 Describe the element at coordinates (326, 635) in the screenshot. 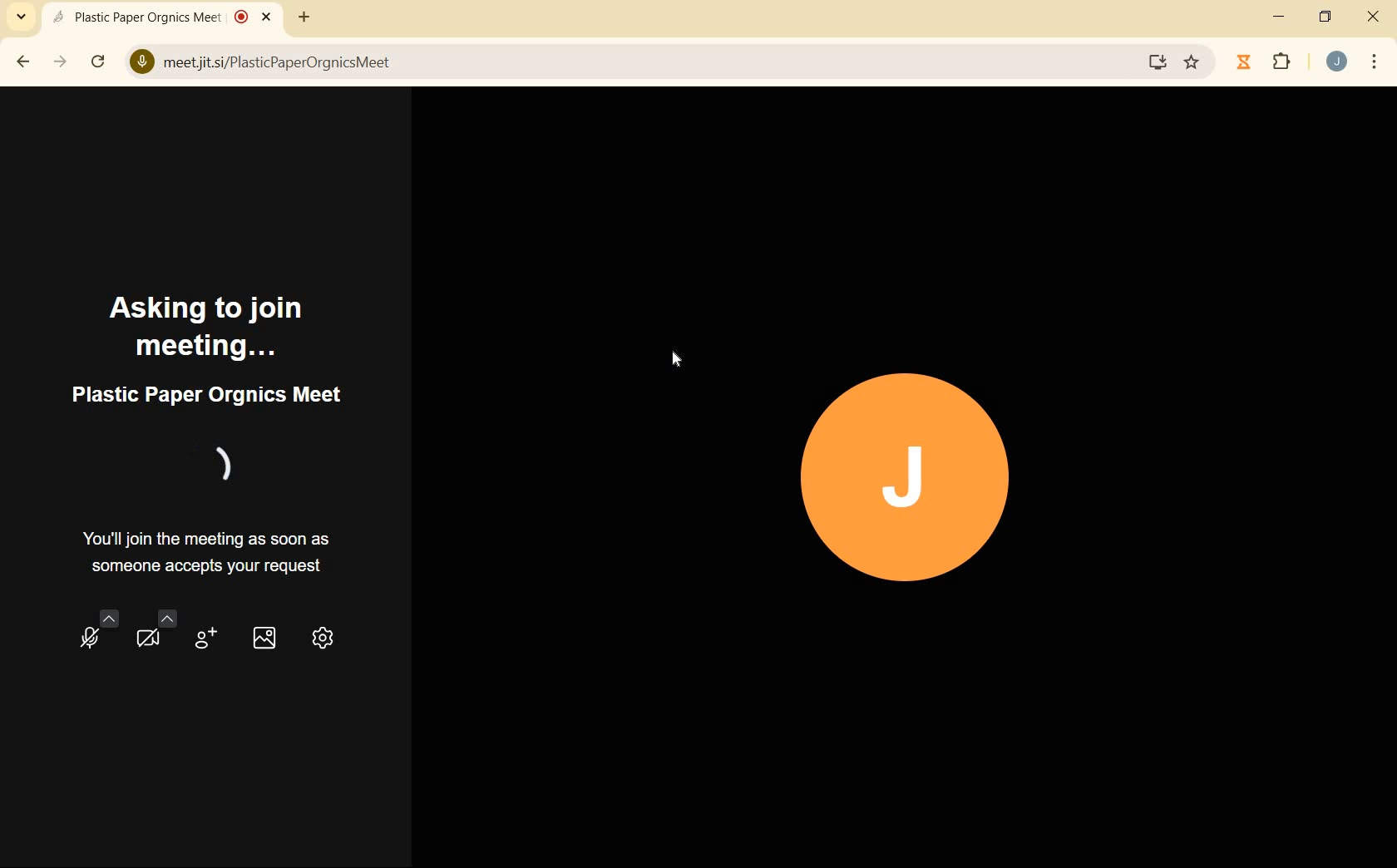

I see `settings` at that location.